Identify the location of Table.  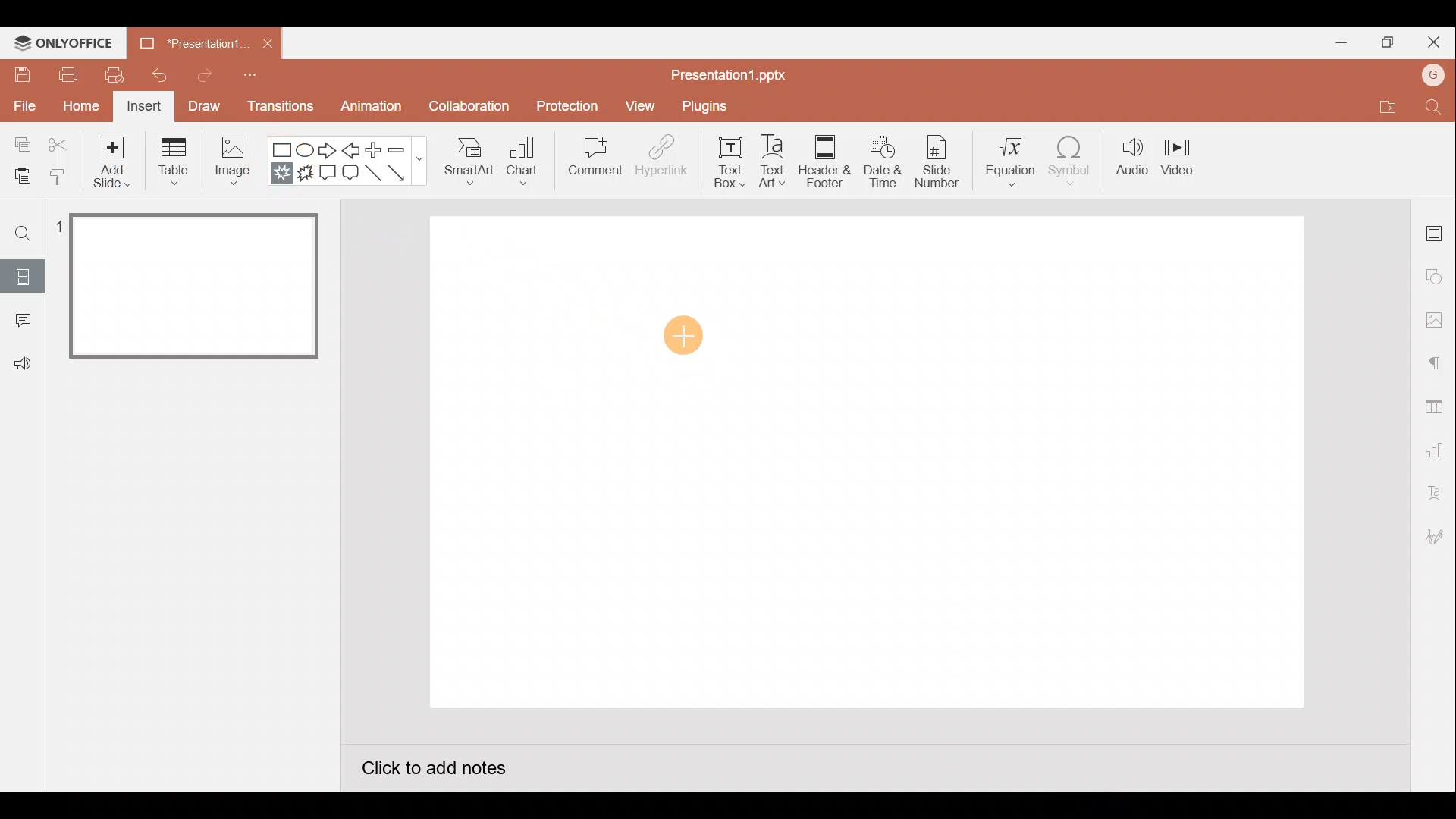
(171, 162).